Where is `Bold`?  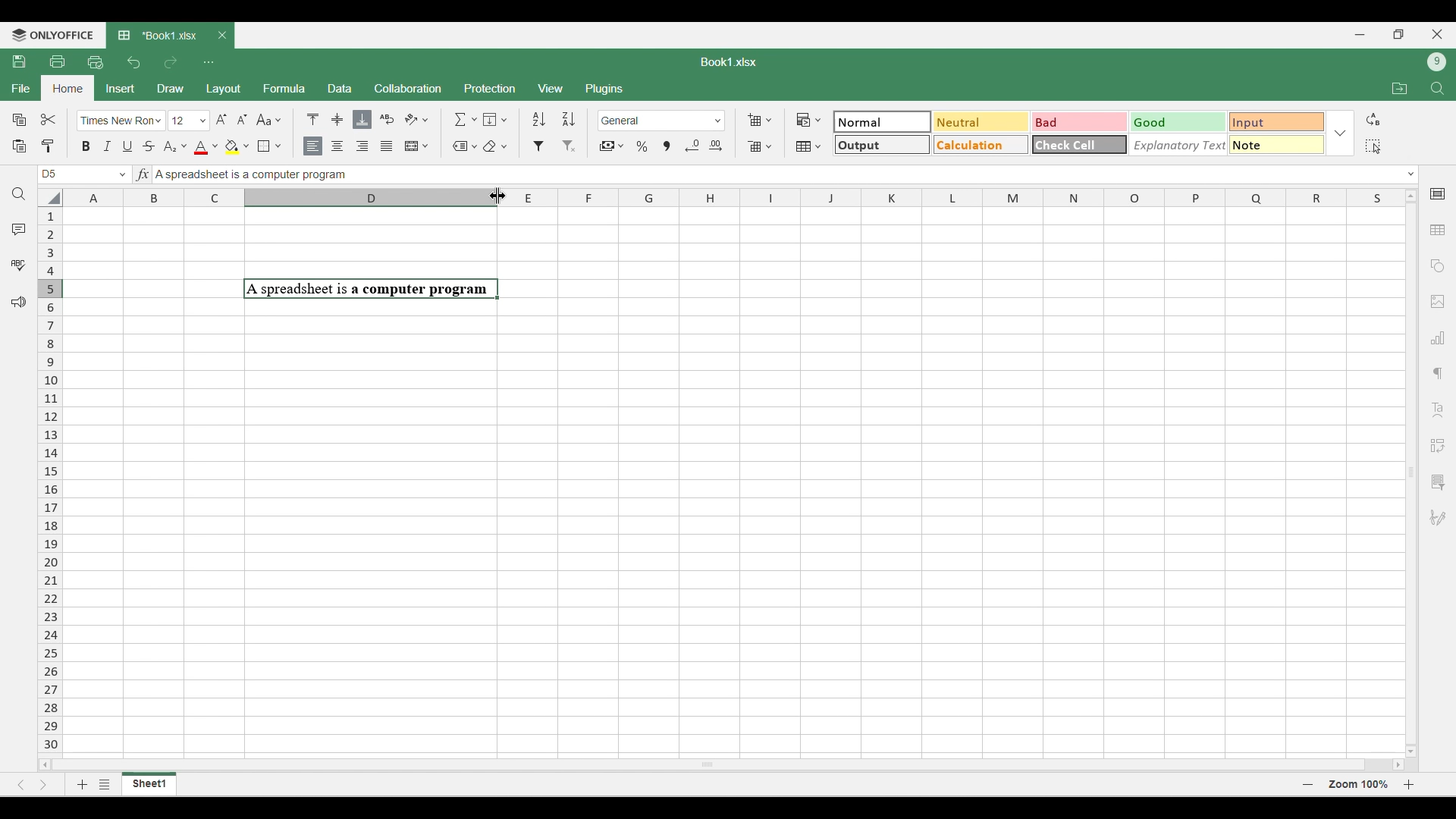 Bold is located at coordinates (86, 146).